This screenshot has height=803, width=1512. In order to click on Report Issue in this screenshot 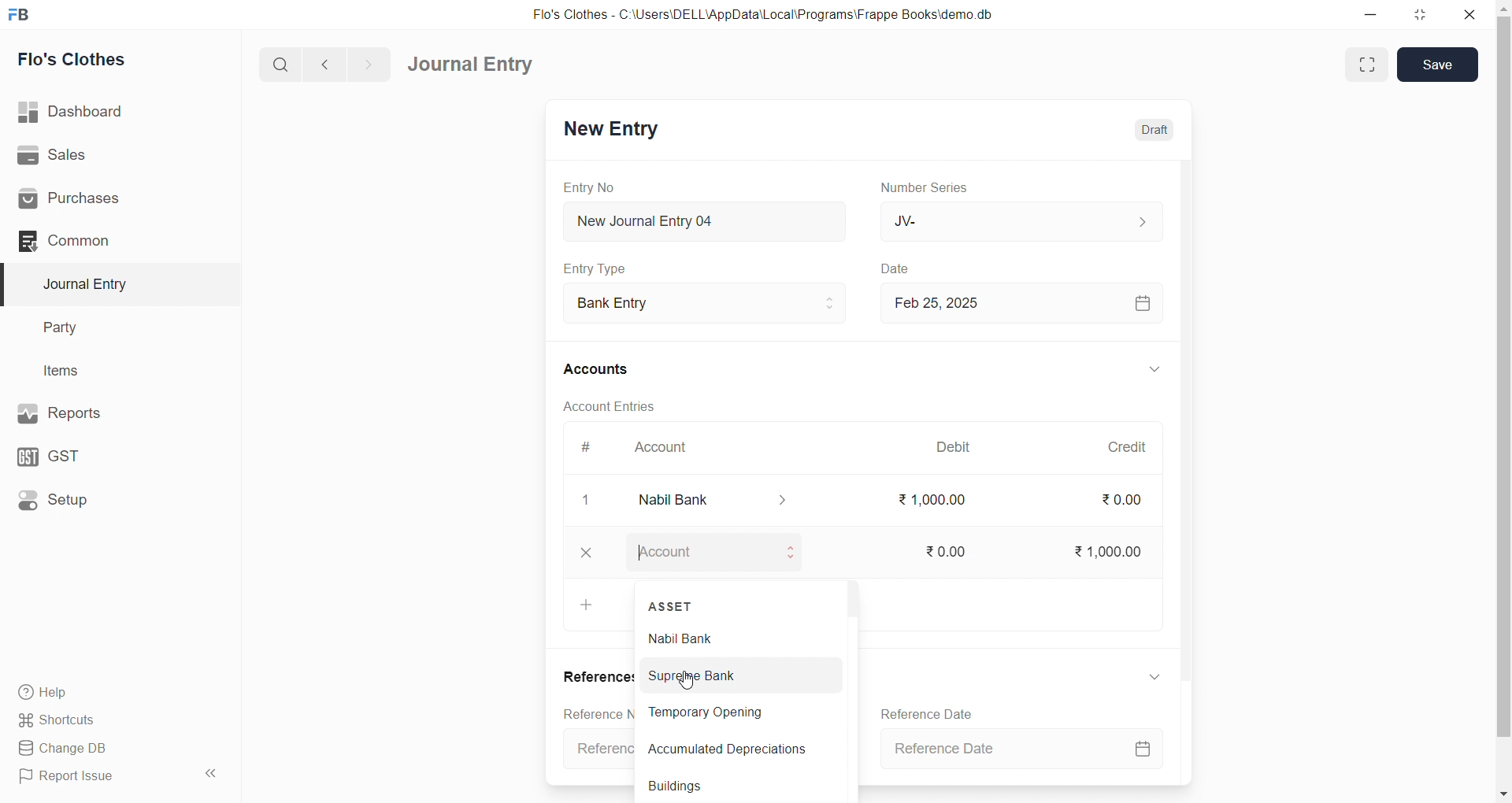, I will do `click(98, 776)`.